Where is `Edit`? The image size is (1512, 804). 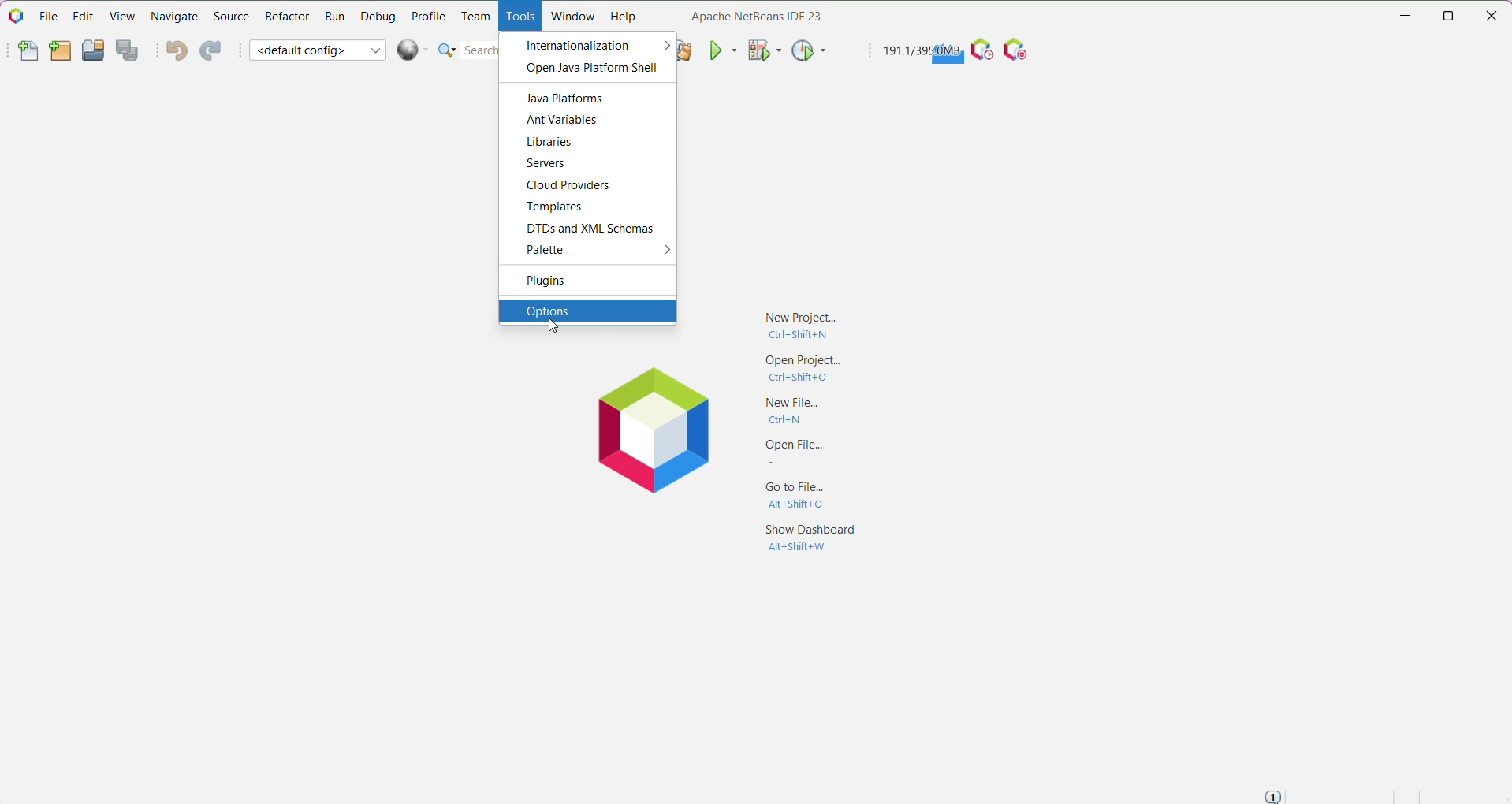
Edit is located at coordinates (80, 17).